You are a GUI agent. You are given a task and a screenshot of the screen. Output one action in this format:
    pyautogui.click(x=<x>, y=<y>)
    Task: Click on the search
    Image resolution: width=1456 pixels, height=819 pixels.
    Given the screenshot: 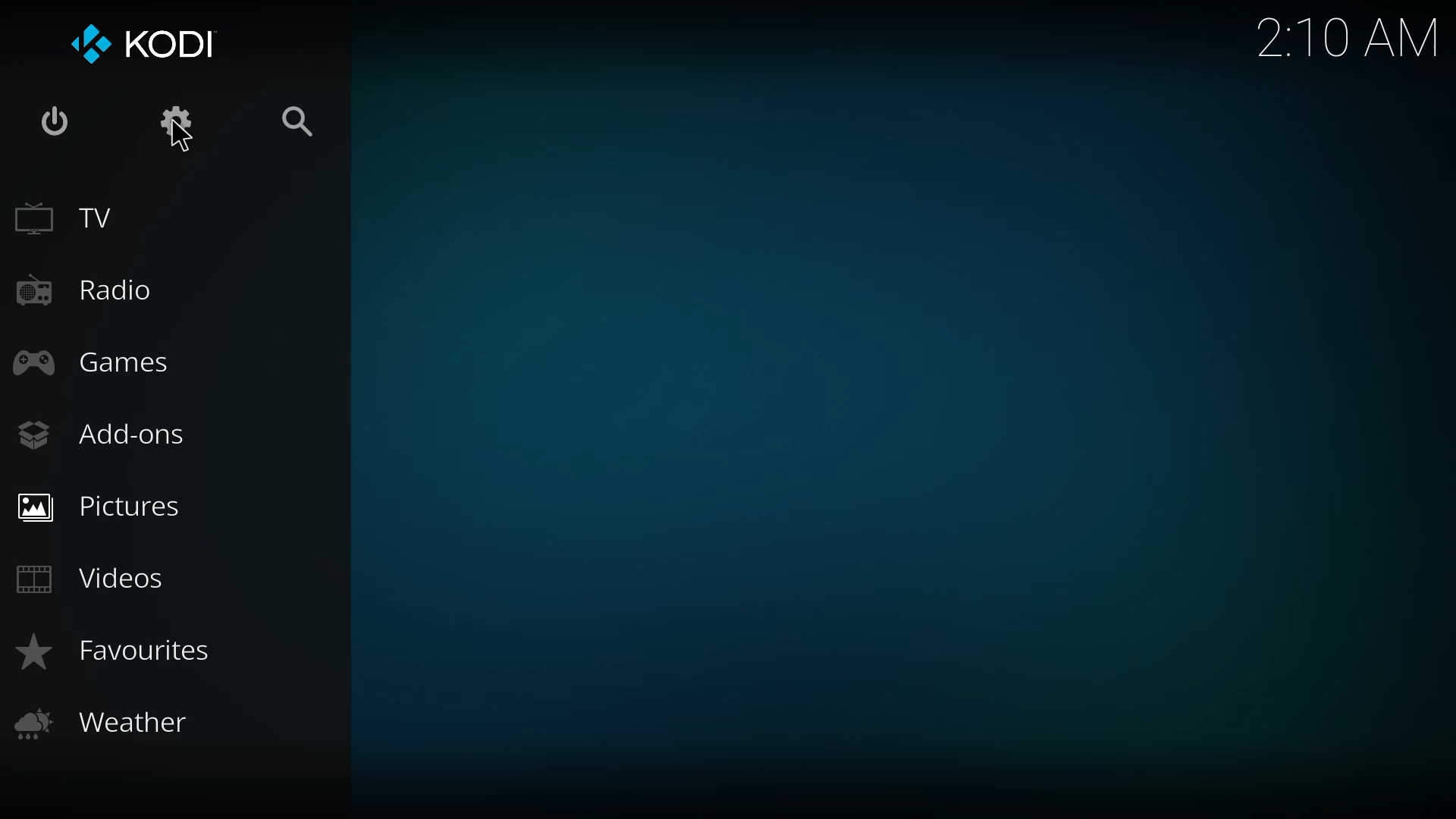 What is the action you would take?
    pyautogui.click(x=298, y=119)
    